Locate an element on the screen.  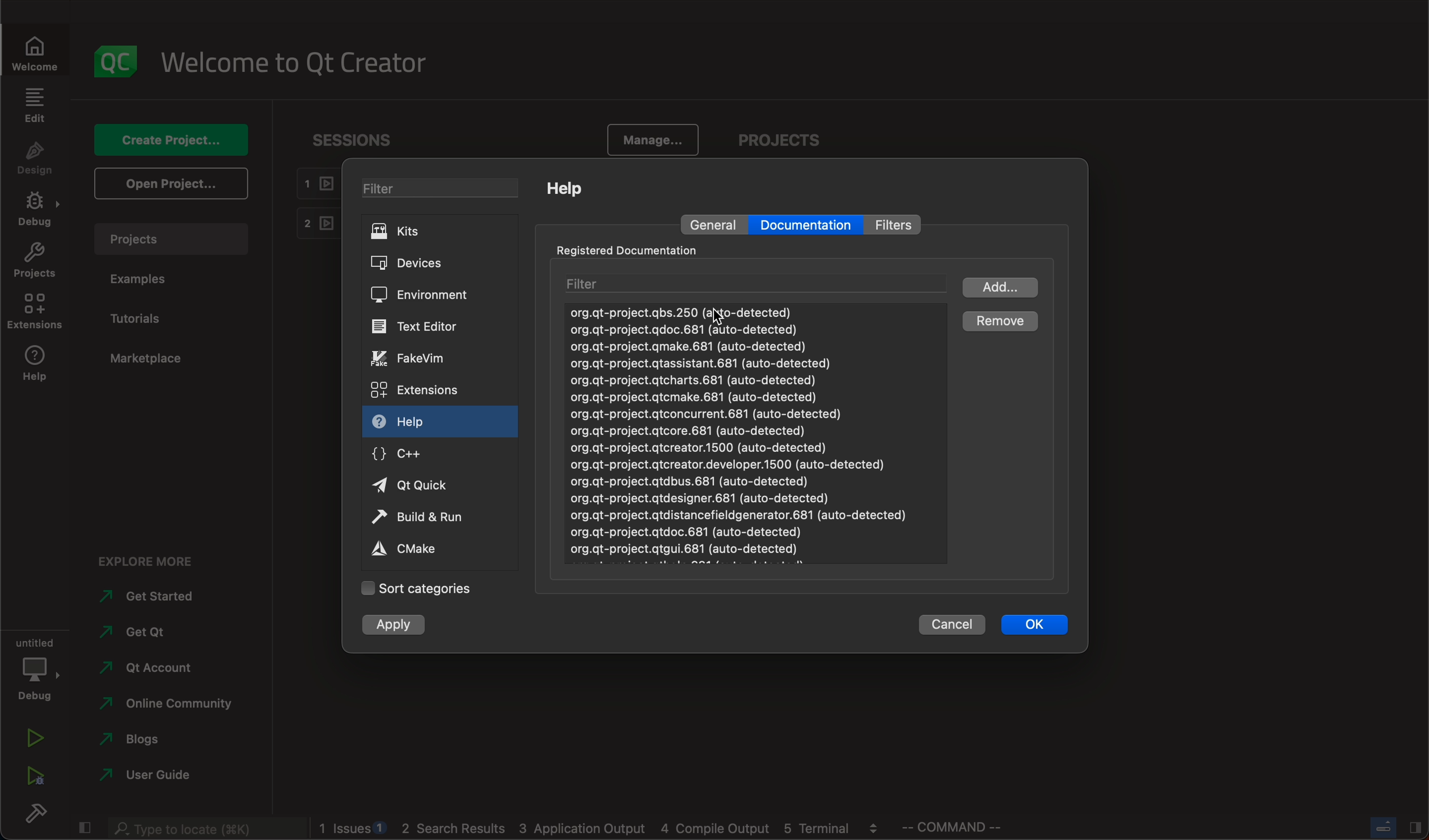
cmake is located at coordinates (418, 549).